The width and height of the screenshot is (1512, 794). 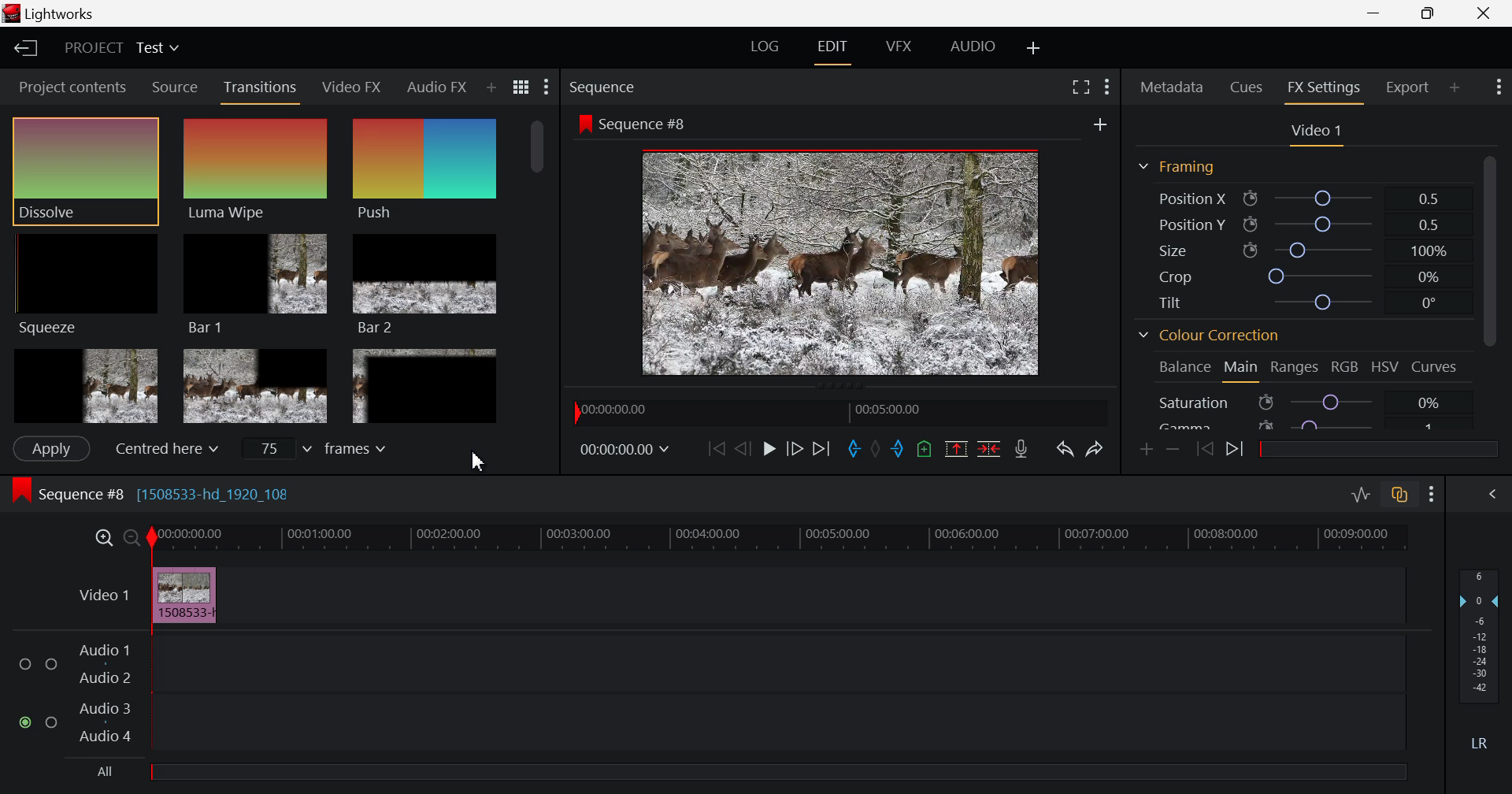 I want to click on Main, so click(x=1241, y=369).